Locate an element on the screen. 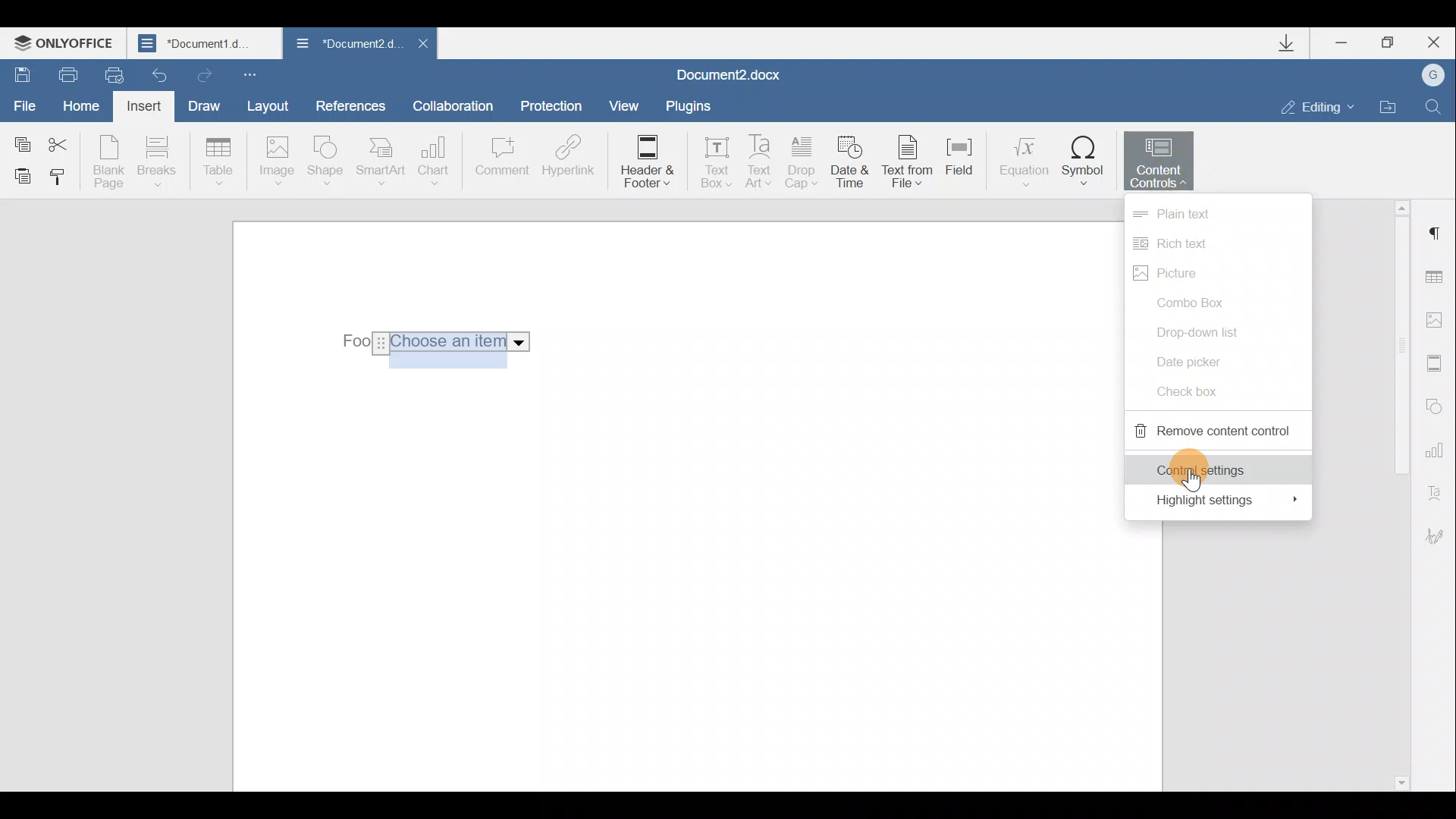  Document1 d.. is located at coordinates (206, 42).